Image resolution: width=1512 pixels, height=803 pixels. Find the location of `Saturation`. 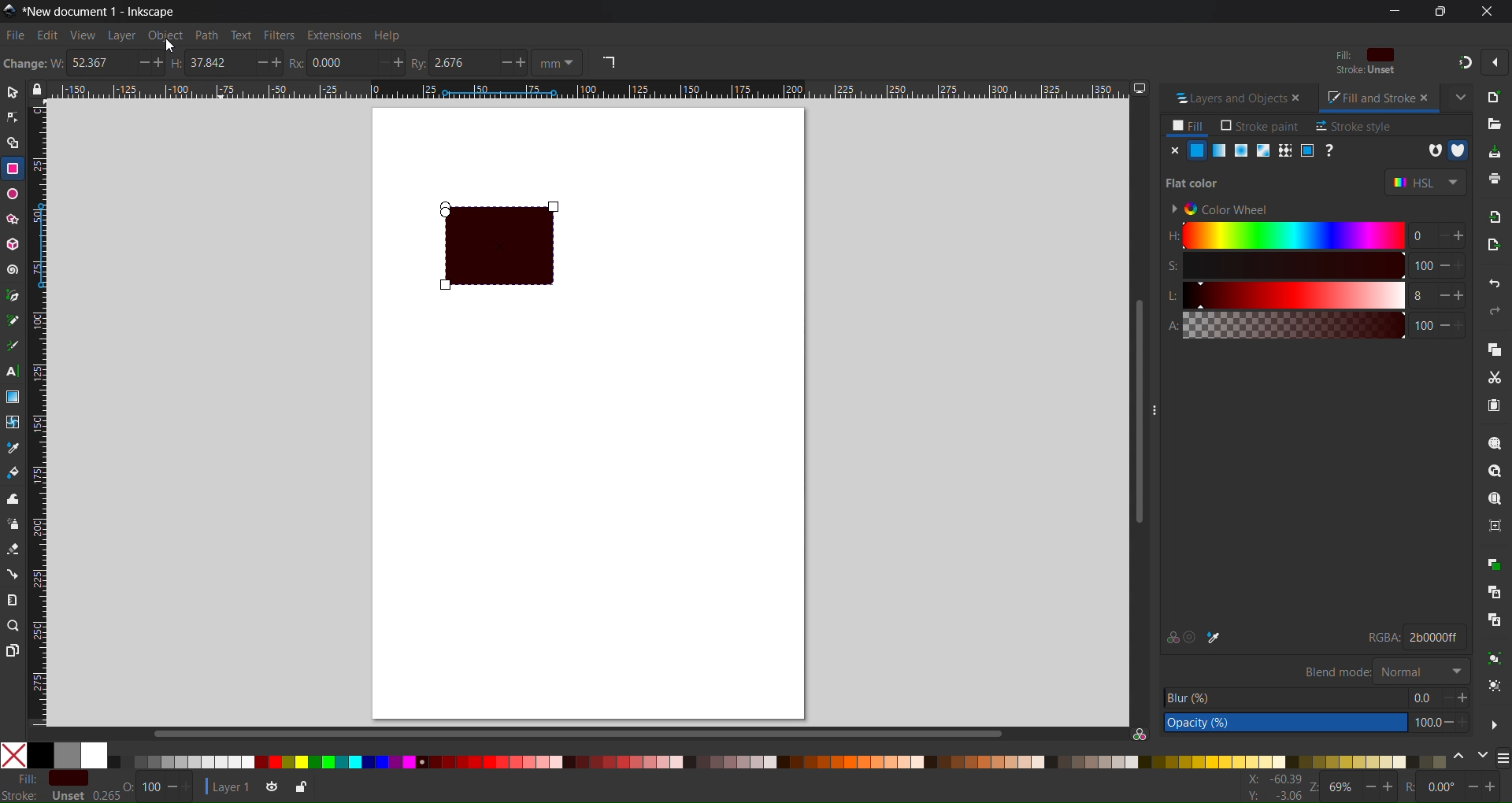

Saturation is located at coordinates (1283, 265).